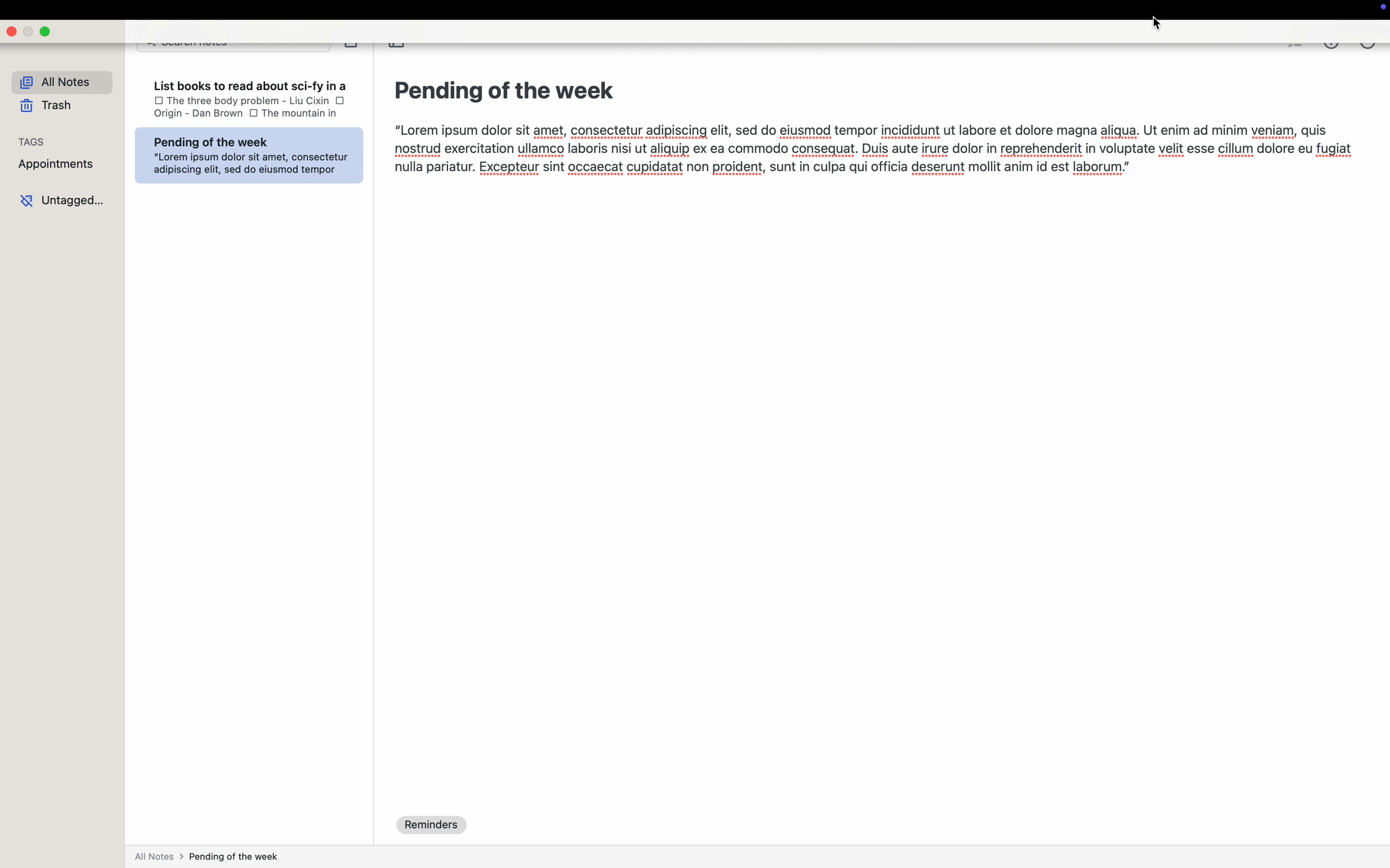 The height and width of the screenshot is (868, 1390). Describe the element at coordinates (29, 32) in the screenshot. I see `minimize Simplenote` at that location.